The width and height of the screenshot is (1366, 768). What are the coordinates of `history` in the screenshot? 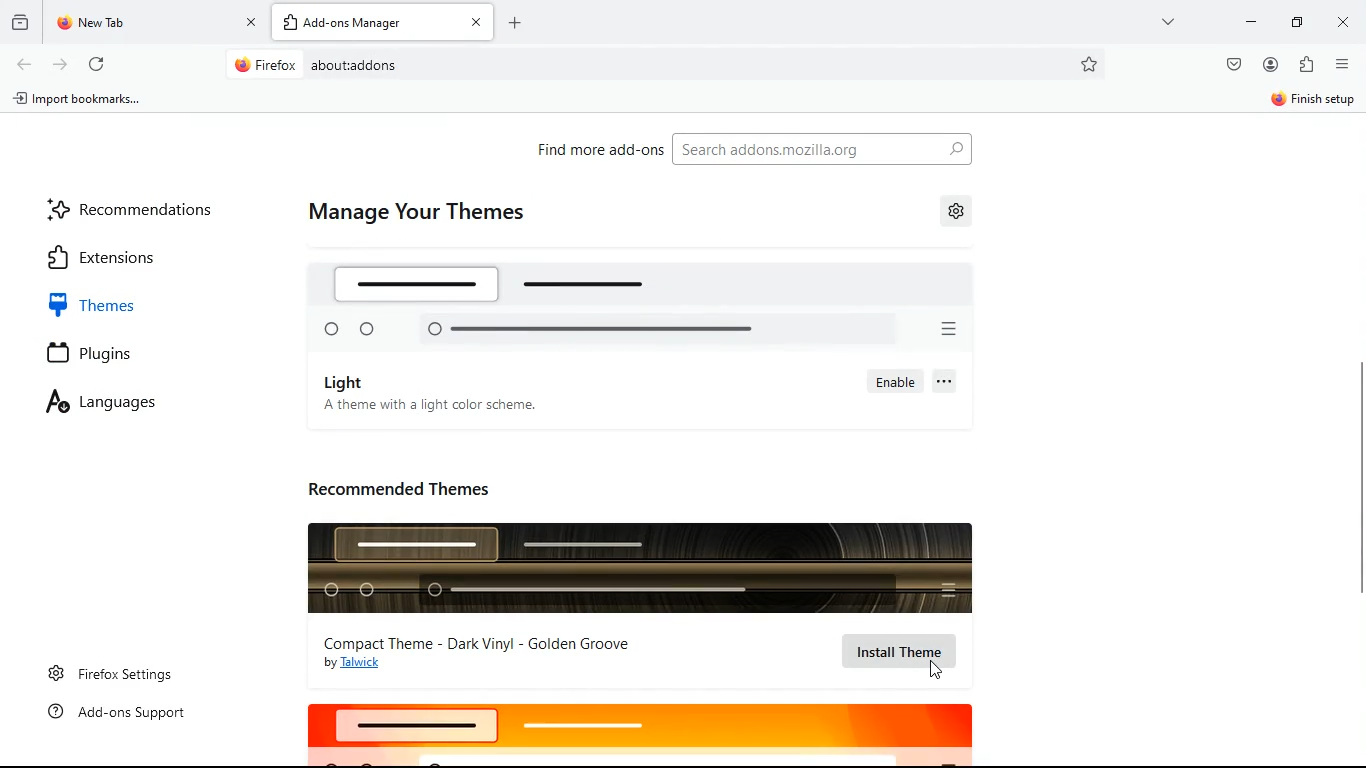 It's located at (20, 22).